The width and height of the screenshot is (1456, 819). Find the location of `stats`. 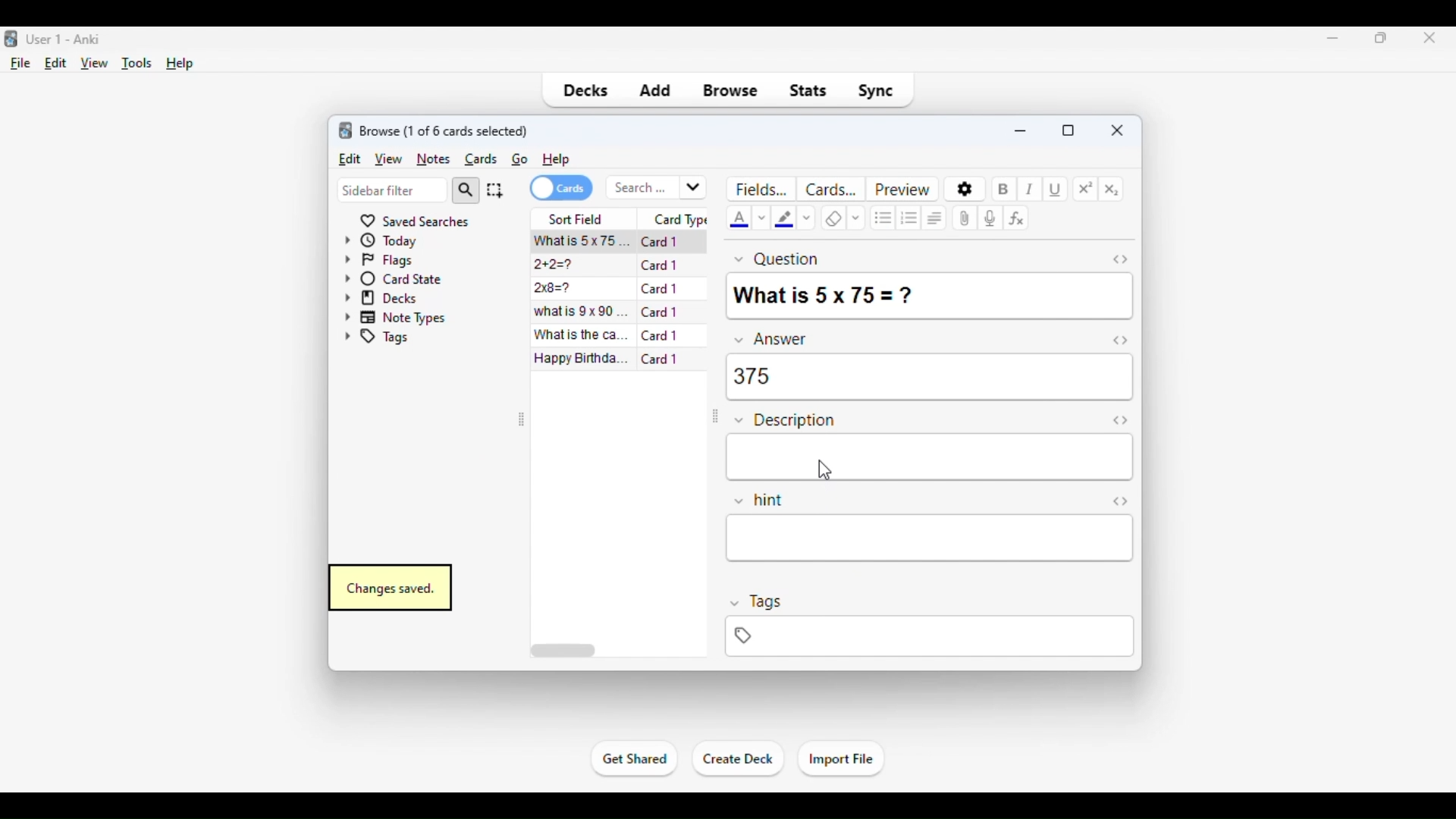

stats is located at coordinates (808, 91).